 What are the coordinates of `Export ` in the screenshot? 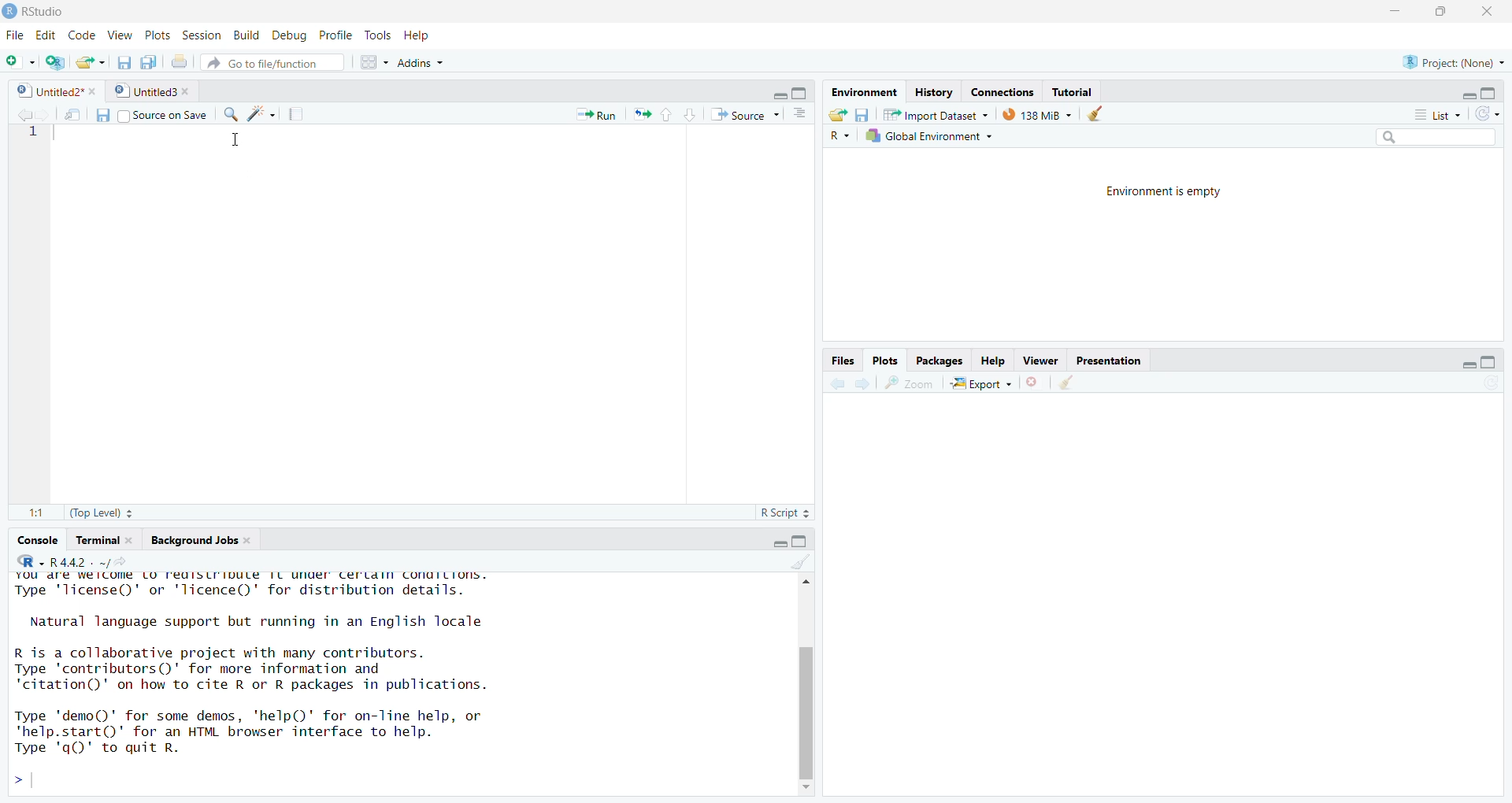 It's located at (976, 383).